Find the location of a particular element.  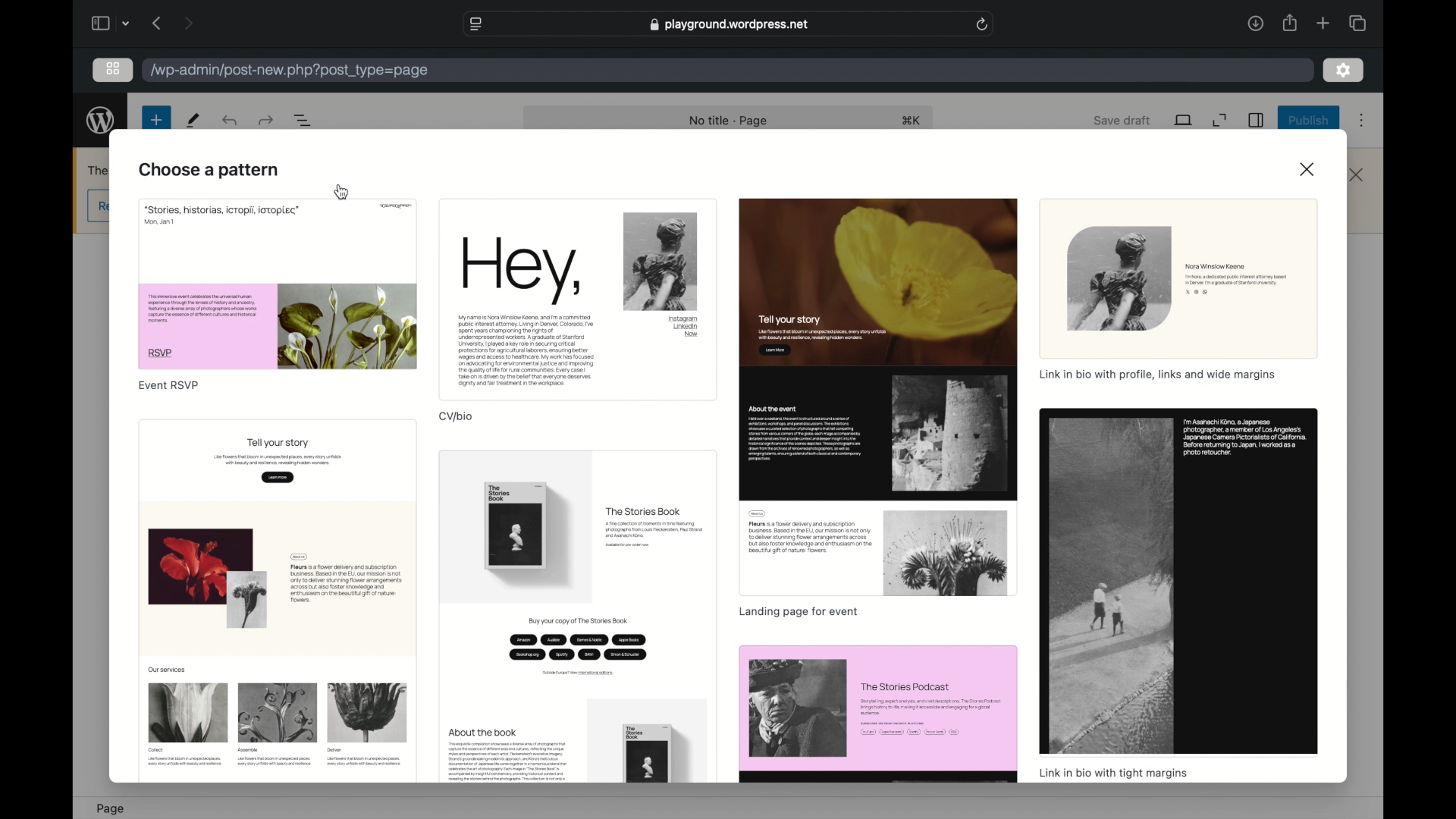

new is located at coordinates (156, 120).